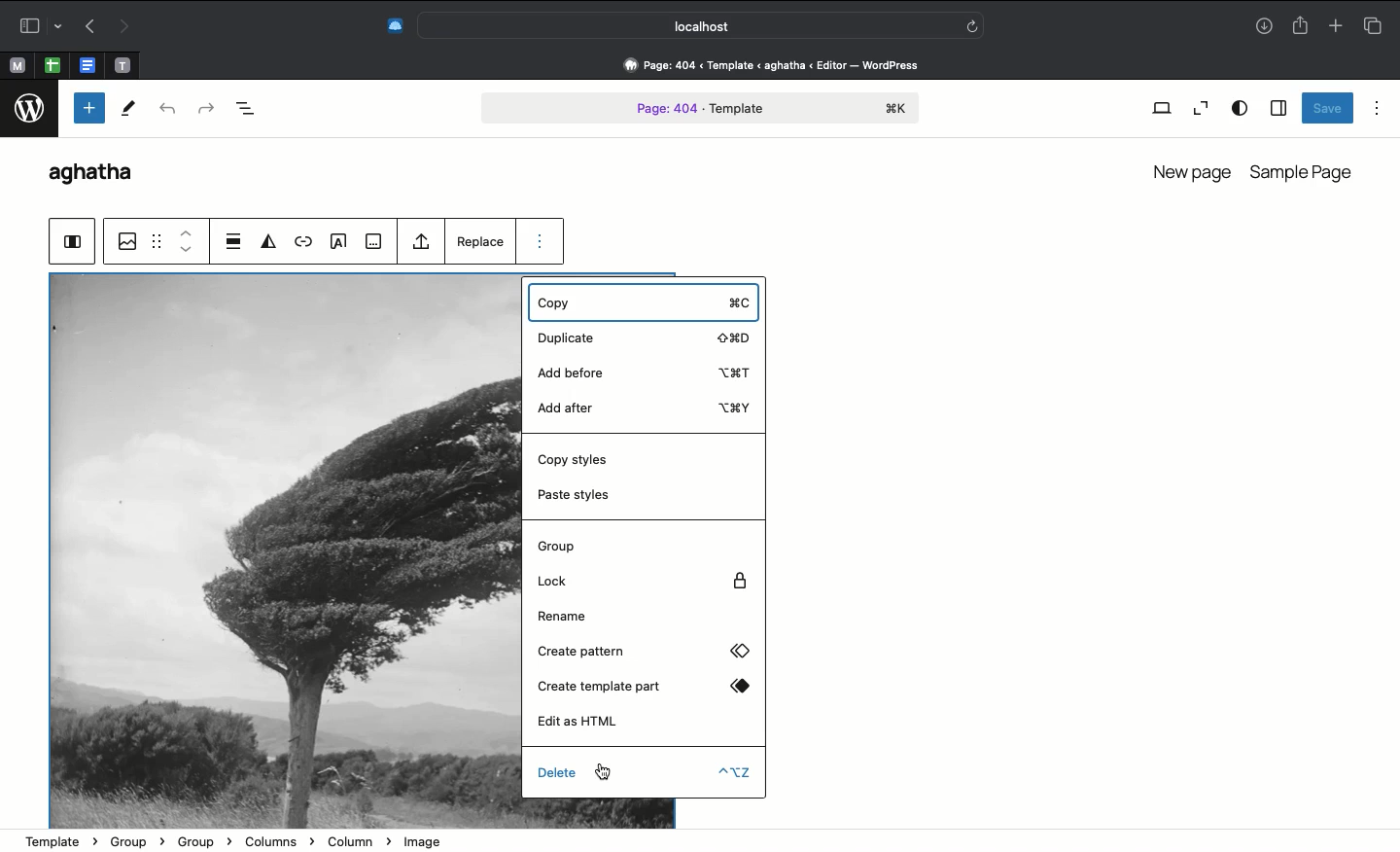 This screenshot has height=852, width=1400. I want to click on Image, so click(125, 241).